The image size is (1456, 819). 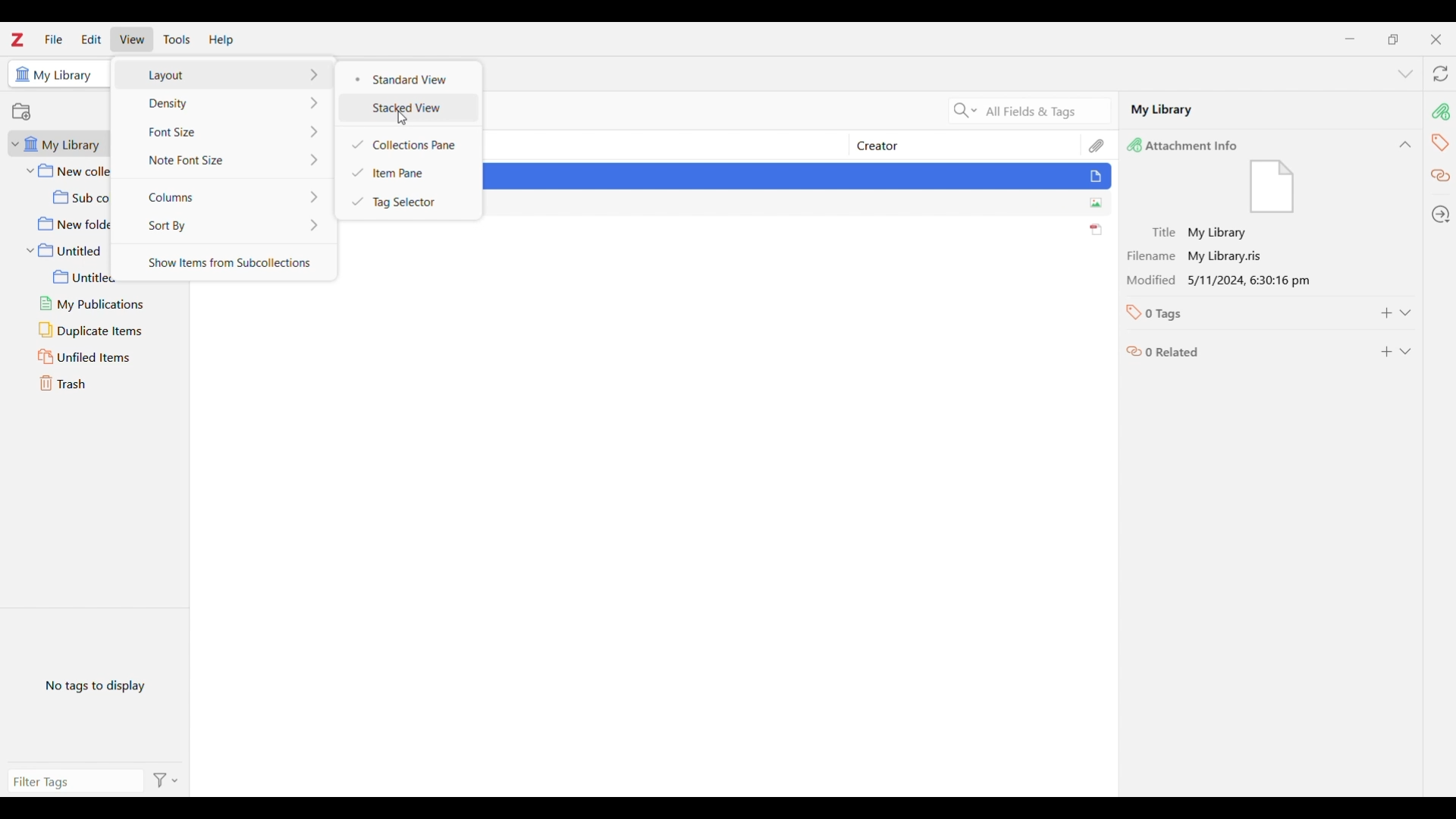 I want to click on Attachments , so click(x=1097, y=144).